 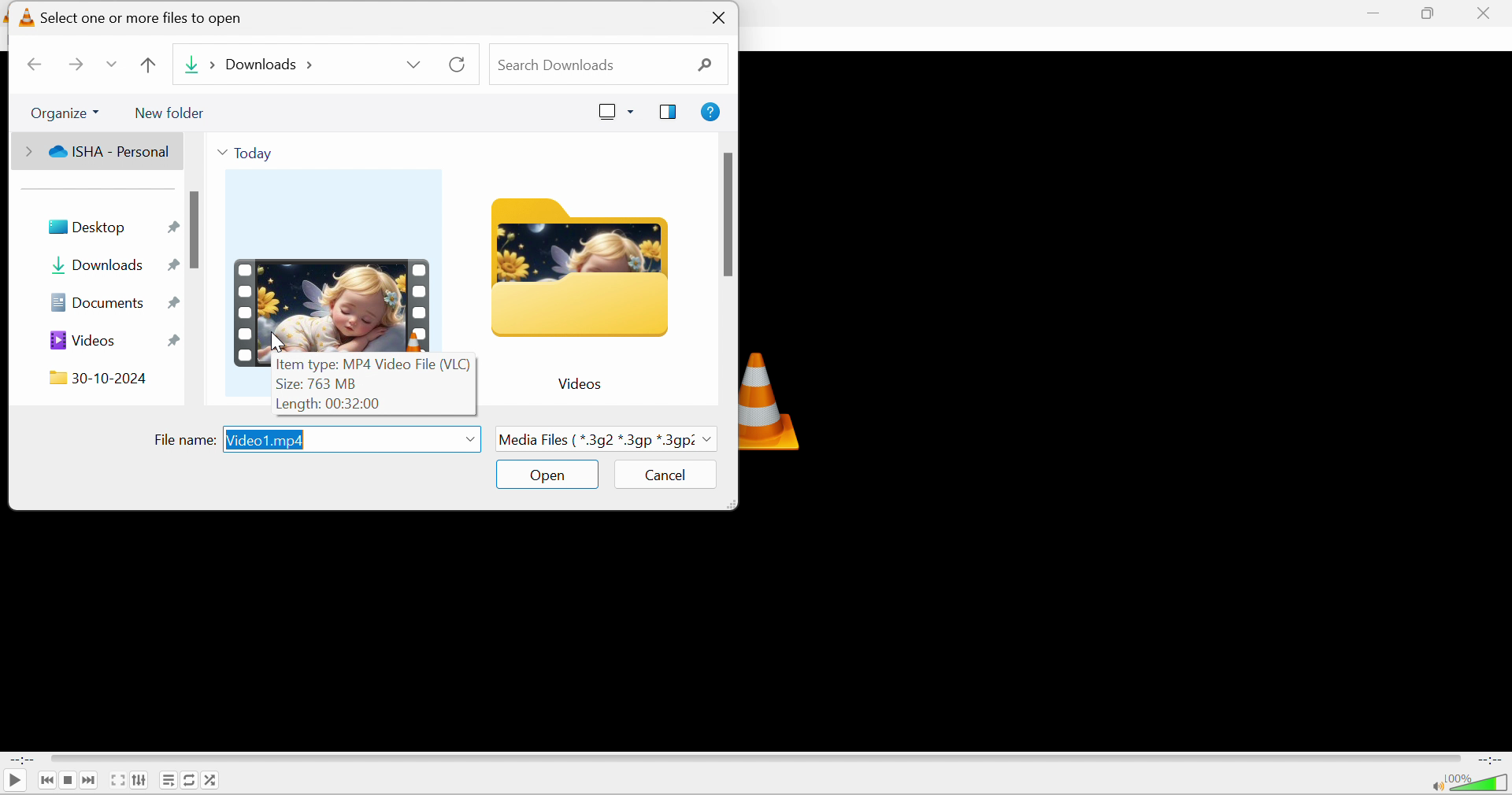 I want to click on Cancel, so click(x=667, y=473).